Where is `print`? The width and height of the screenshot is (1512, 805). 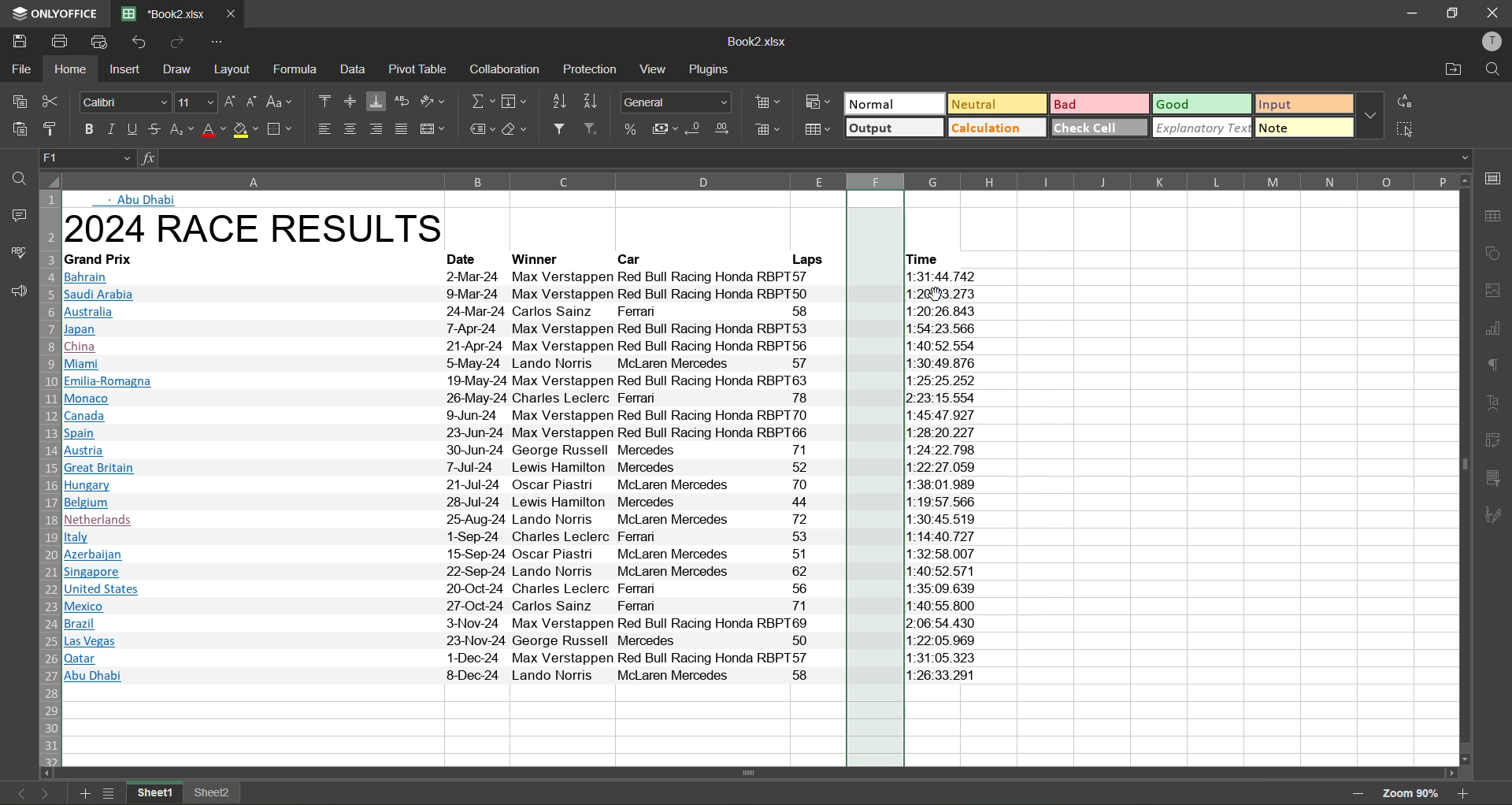
print is located at coordinates (61, 42).